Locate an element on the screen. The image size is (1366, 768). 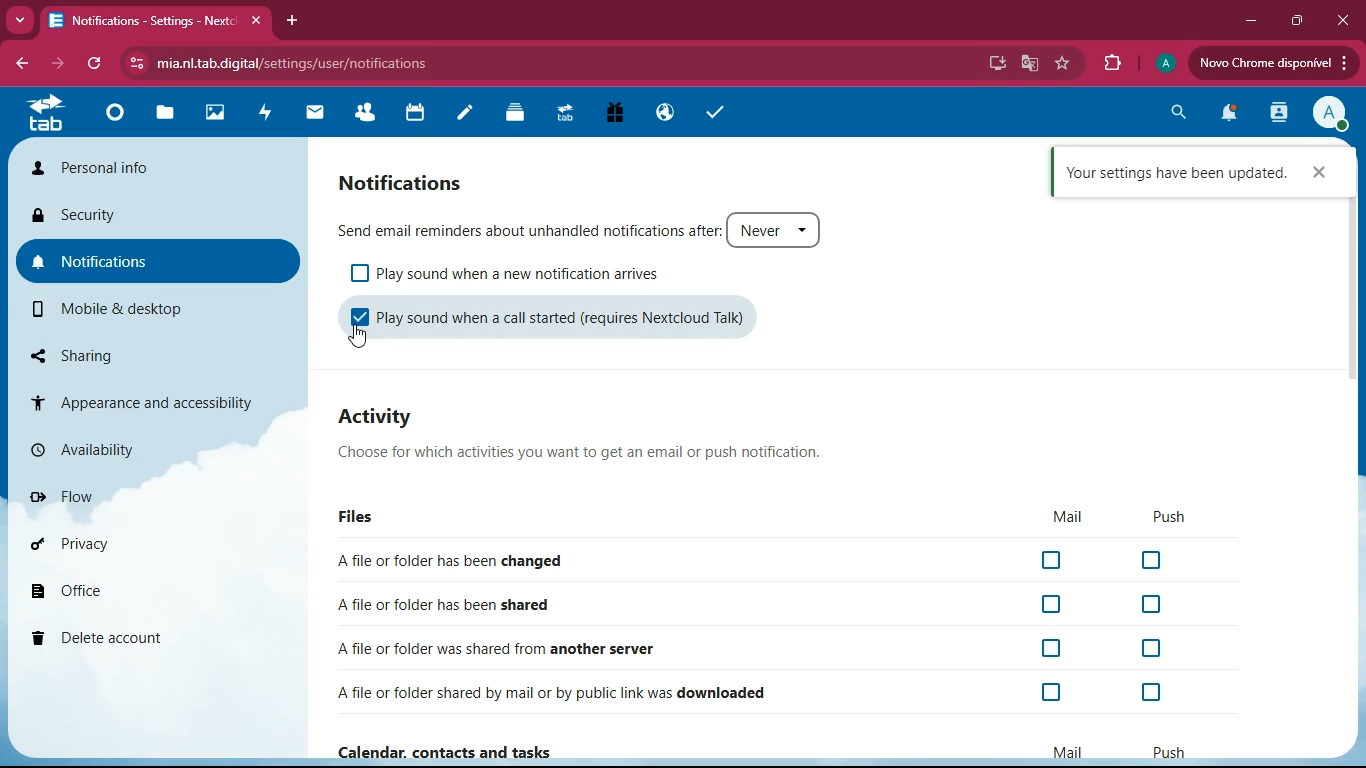
push is located at coordinates (1170, 750).